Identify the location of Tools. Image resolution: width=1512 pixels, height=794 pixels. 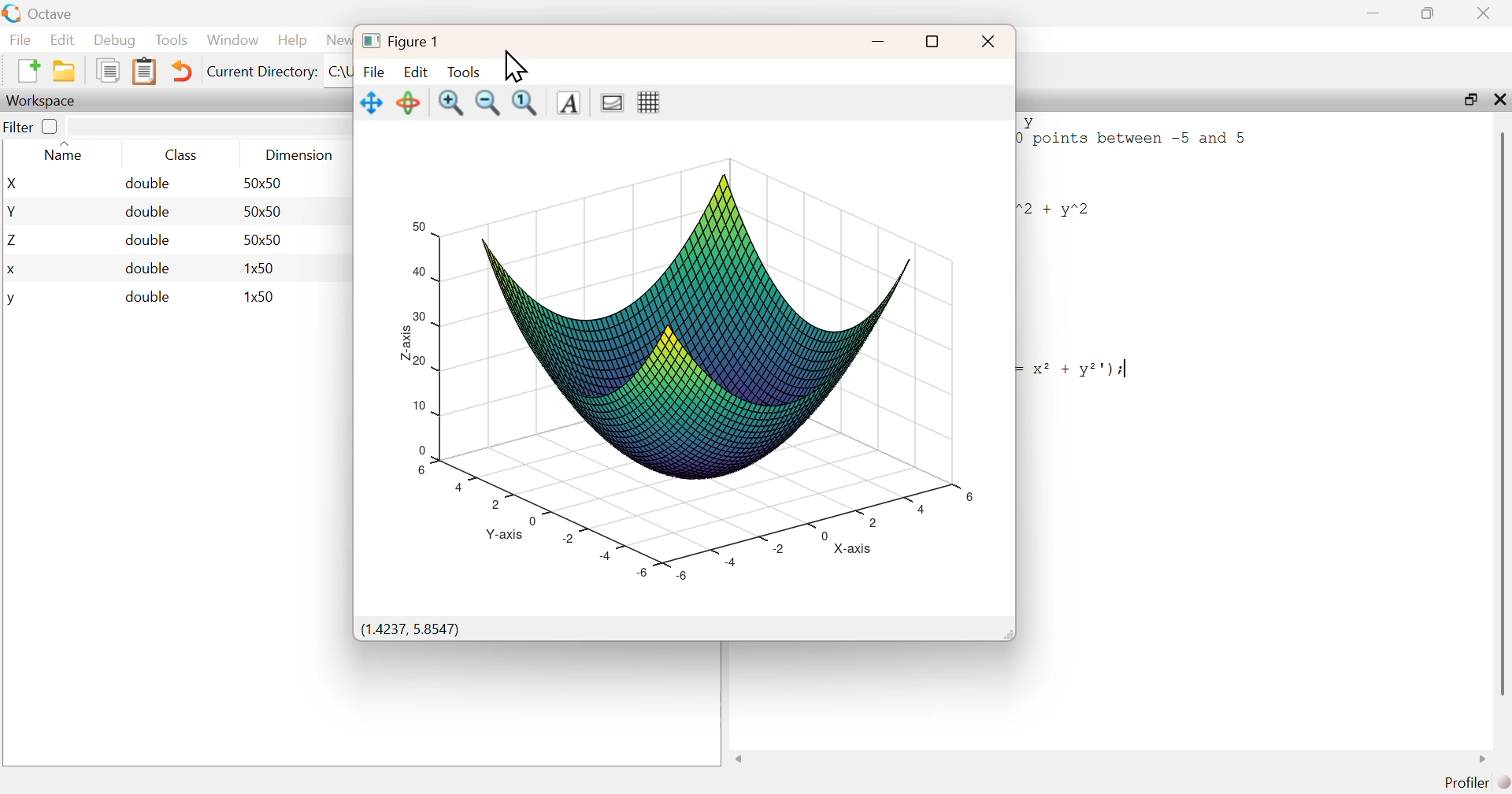
(465, 72).